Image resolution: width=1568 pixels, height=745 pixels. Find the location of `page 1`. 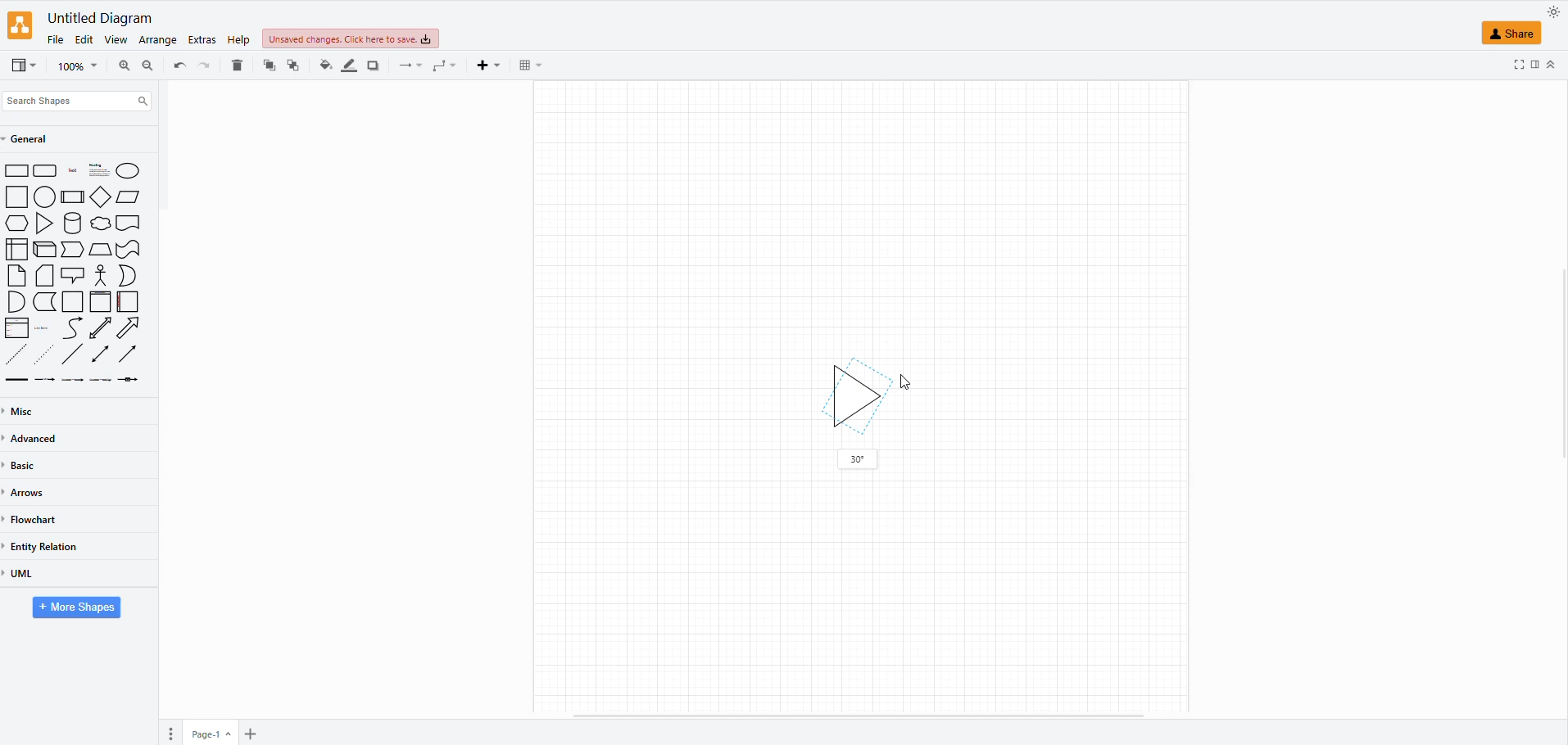

page 1 is located at coordinates (212, 732).